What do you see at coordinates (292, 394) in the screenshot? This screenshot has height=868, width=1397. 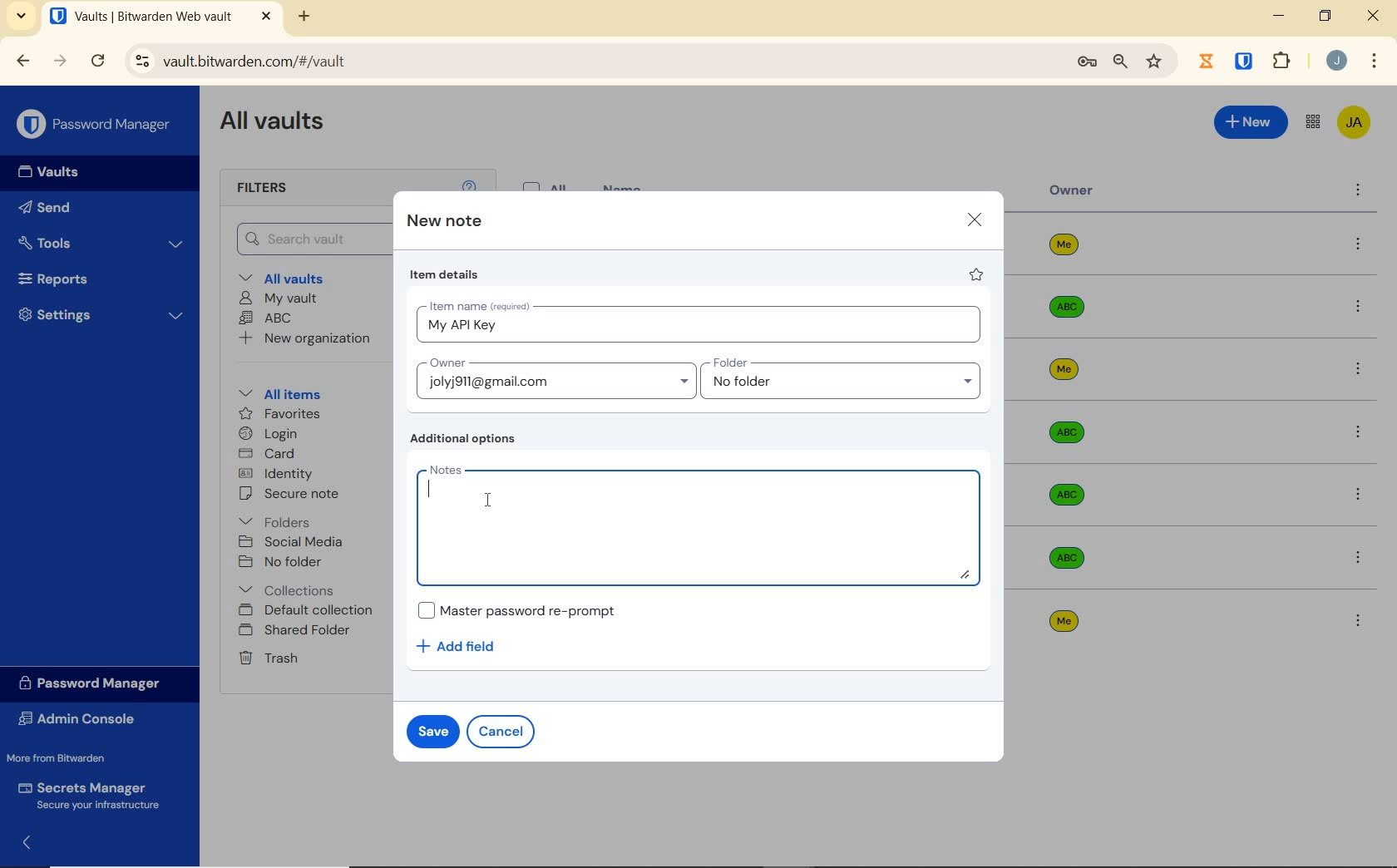 I see `All items` at bounding box center [292, 394].